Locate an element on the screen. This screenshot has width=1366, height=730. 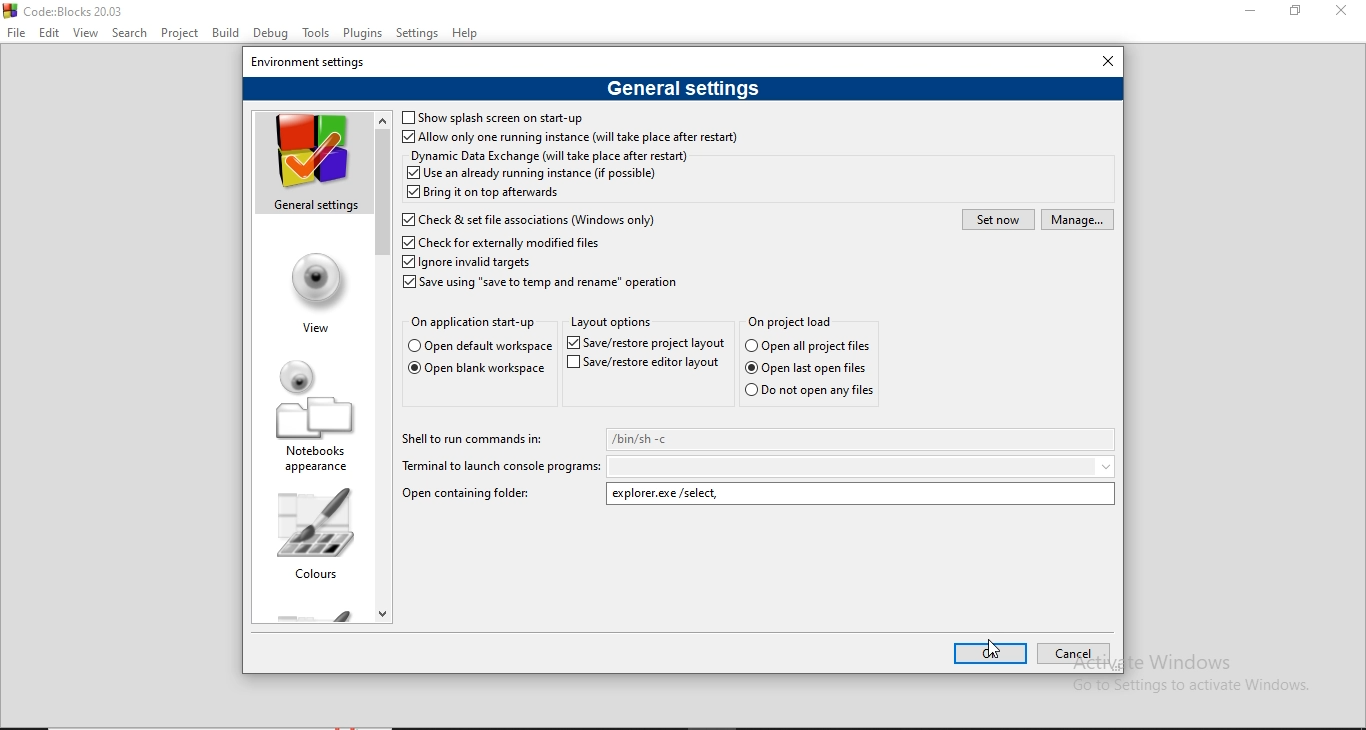
Search  is located at coordinates (129, 32).